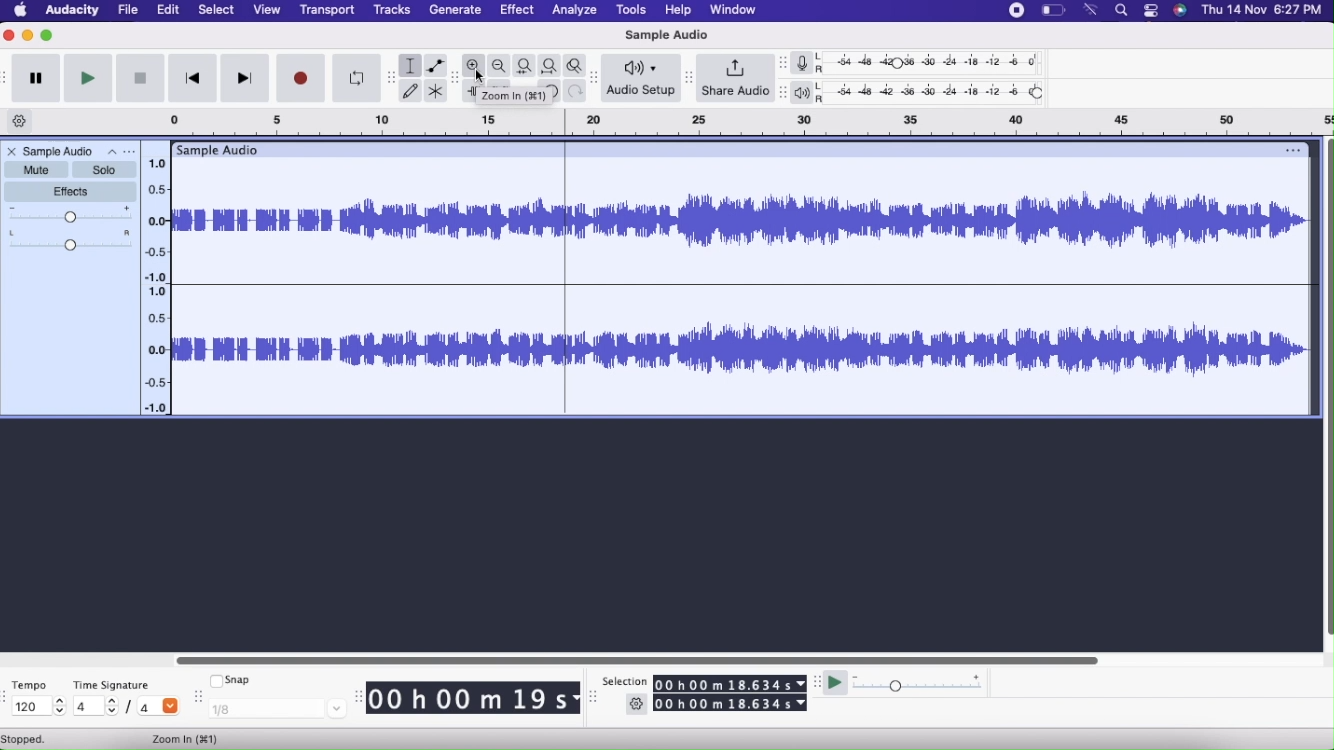 The width and height of the screenshot is (1334, 750). Describe the element at coordinates (158, 708) in the screenshot. I see `4` at that location.